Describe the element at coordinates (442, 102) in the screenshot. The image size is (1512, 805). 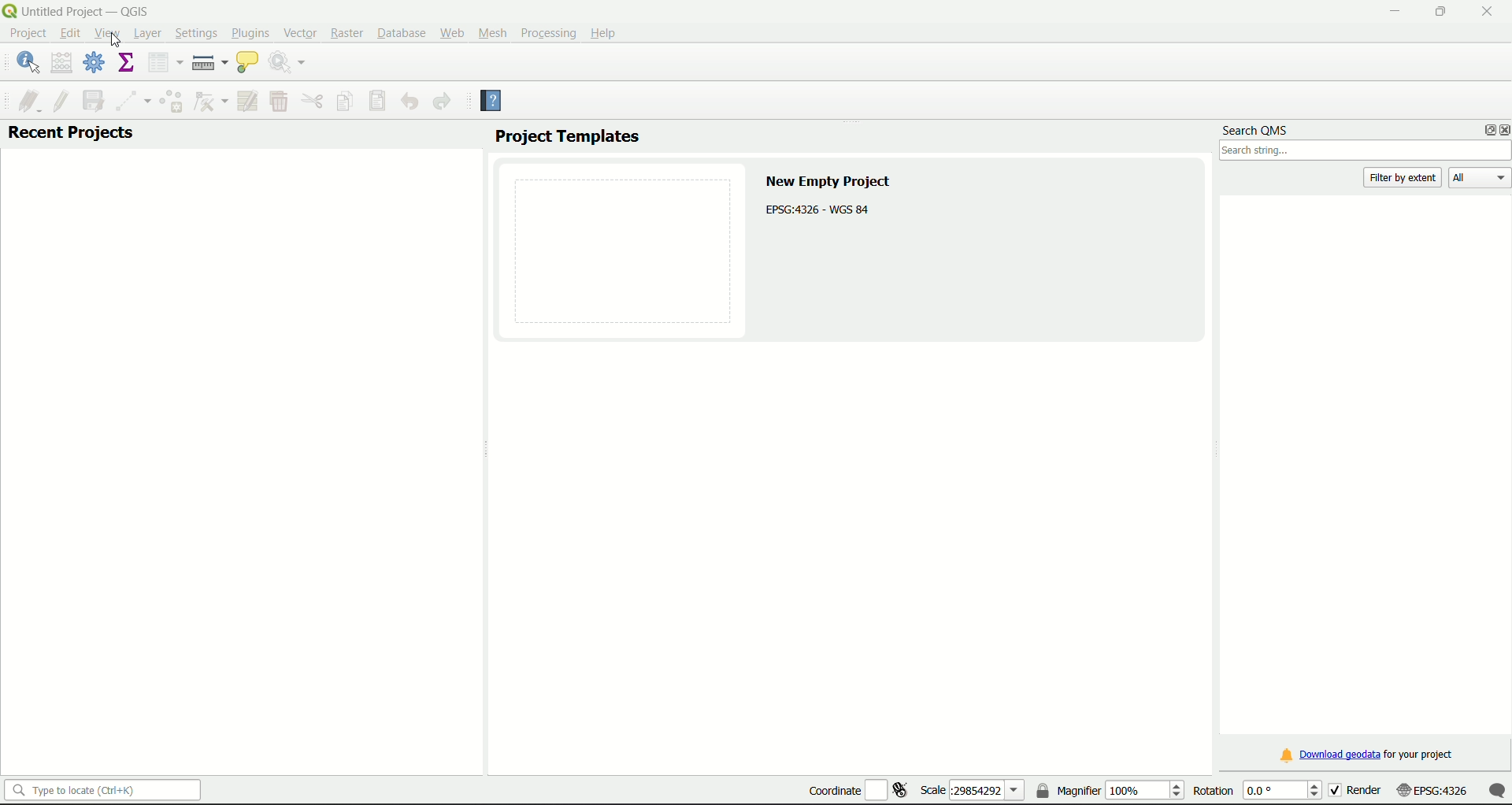
I see `Redo` at that location.